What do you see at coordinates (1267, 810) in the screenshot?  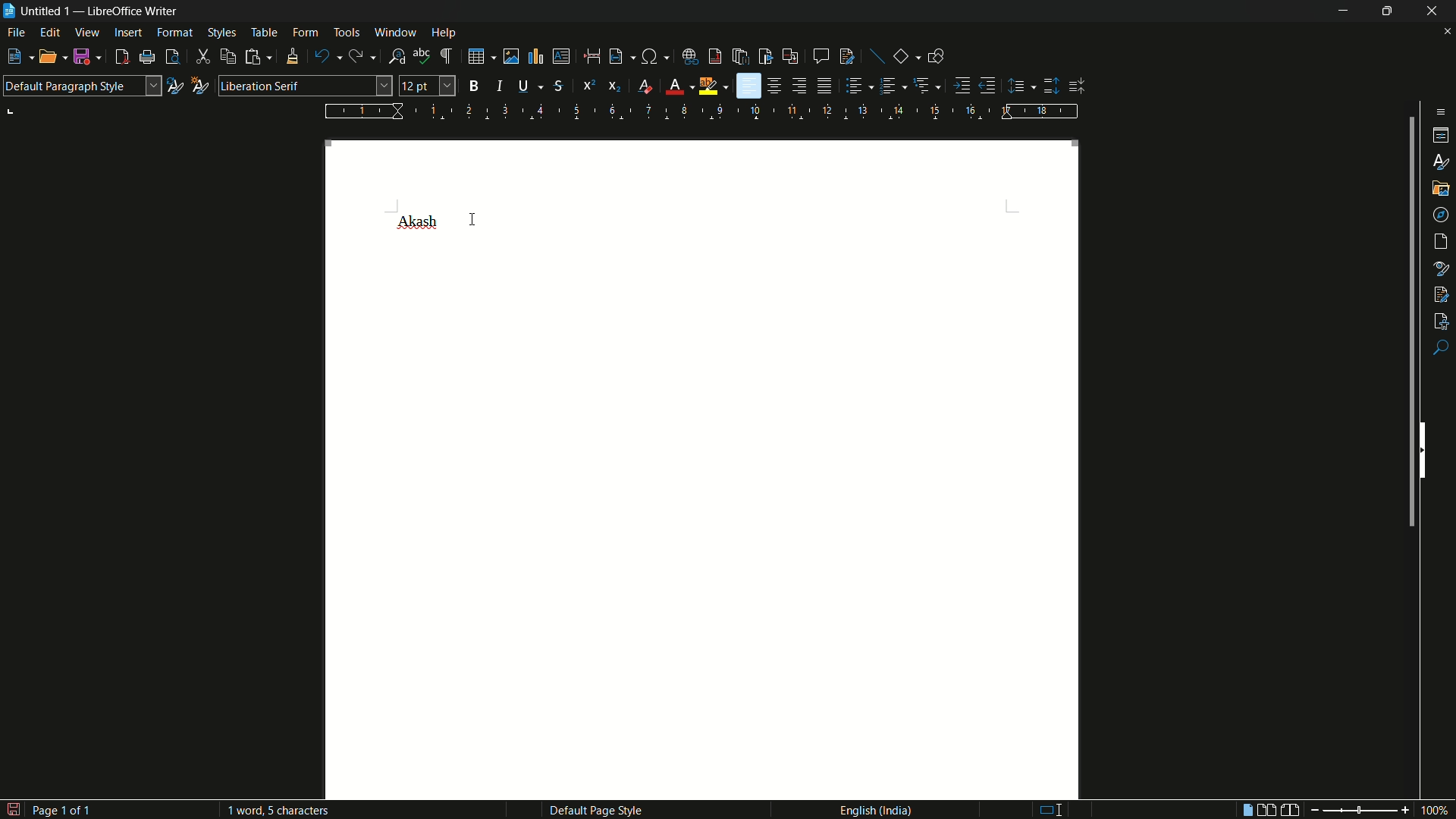 I see `multiple page` at bounding box center [1267, 810].